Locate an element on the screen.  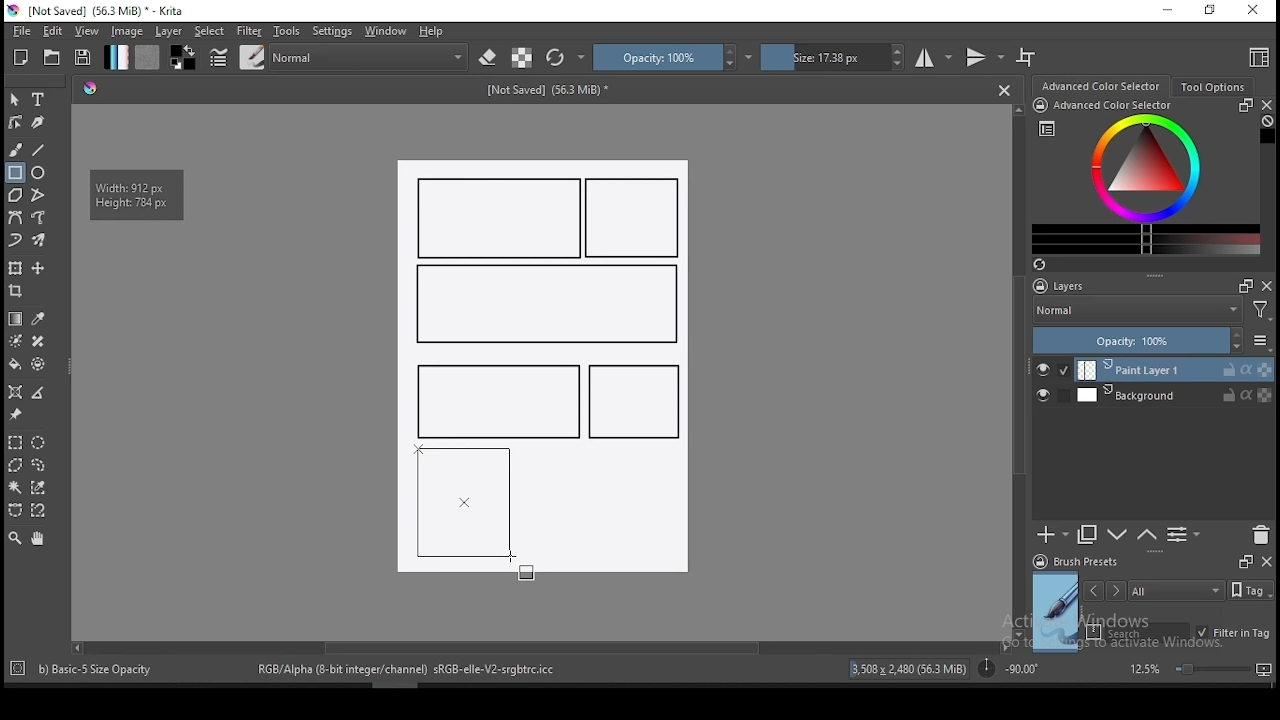
Target is located at coordinates (19, 669).